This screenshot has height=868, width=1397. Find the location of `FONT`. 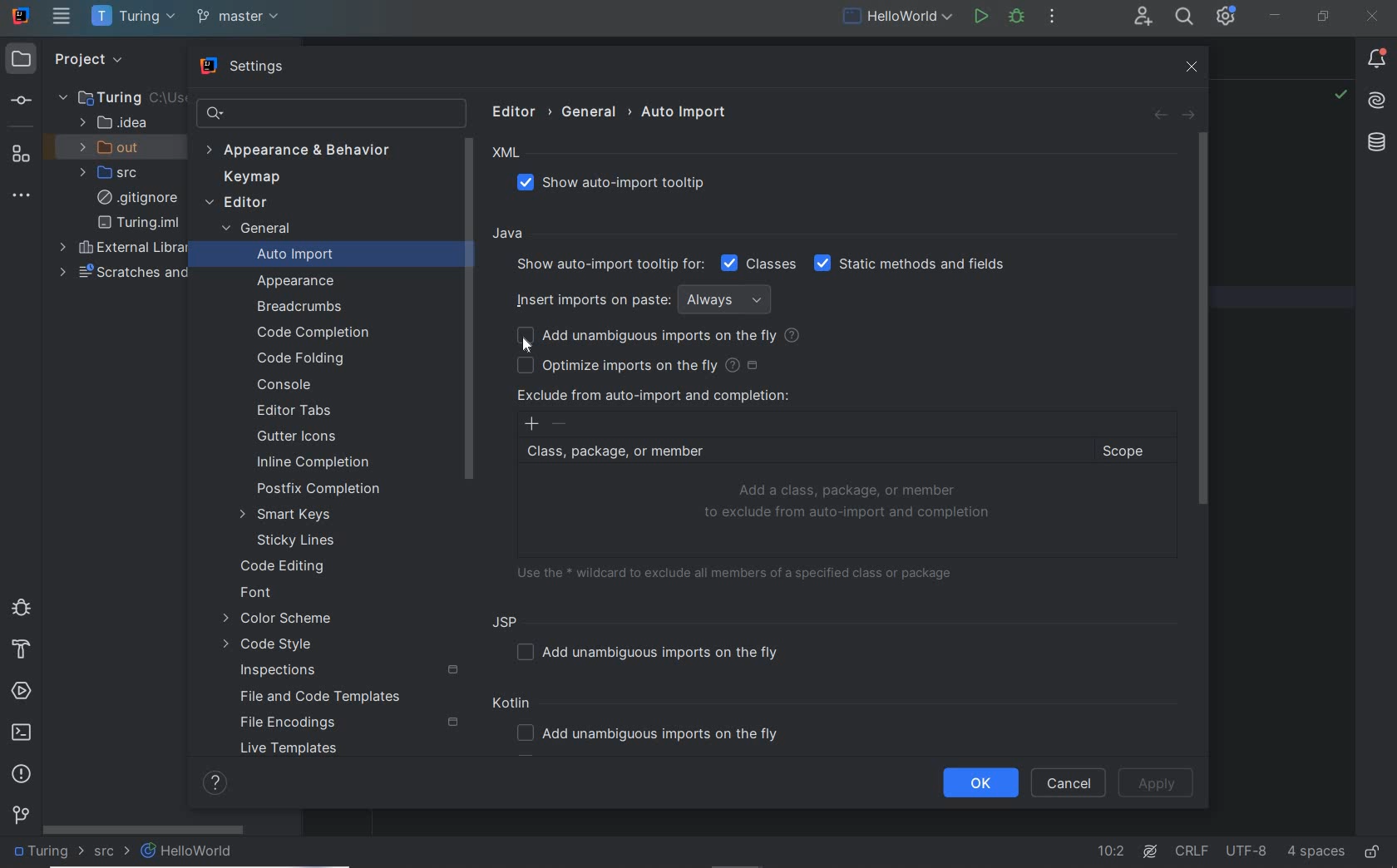

FONT is located at coordinates (257, 594).